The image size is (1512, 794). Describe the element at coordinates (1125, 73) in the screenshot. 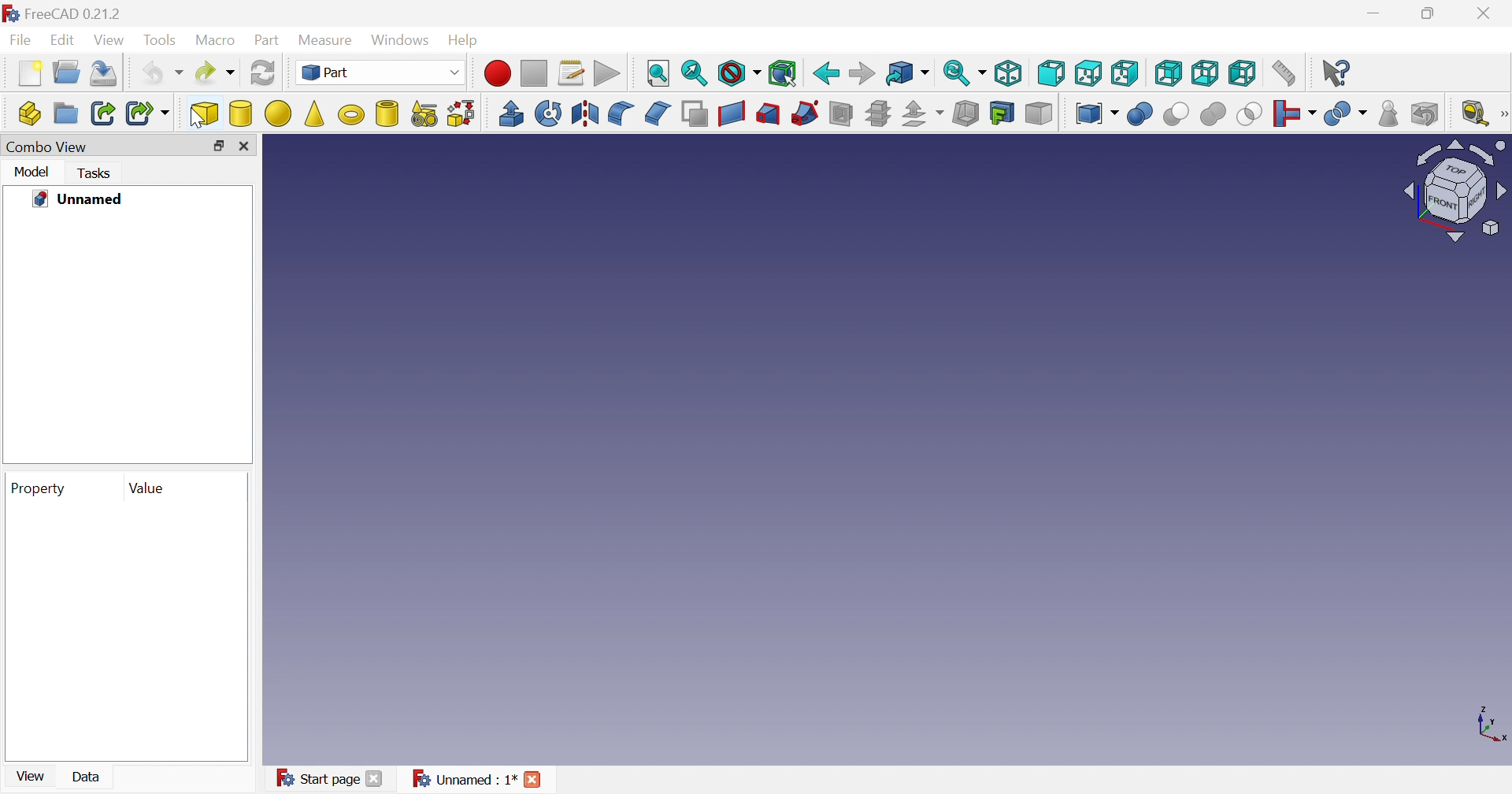

I see `Right` at that location.